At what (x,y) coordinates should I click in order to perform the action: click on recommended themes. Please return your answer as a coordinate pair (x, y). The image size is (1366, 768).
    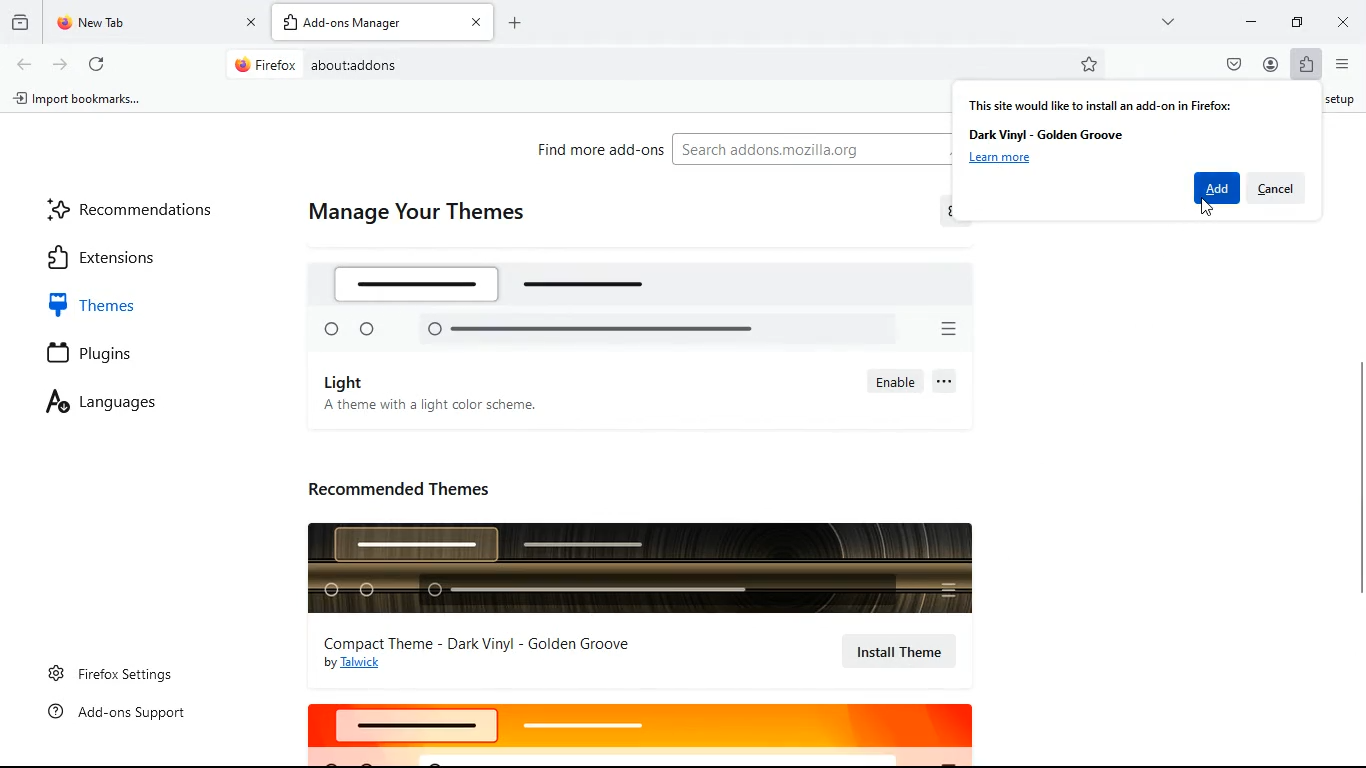
    Looking at the image, I should click on (413, 487).